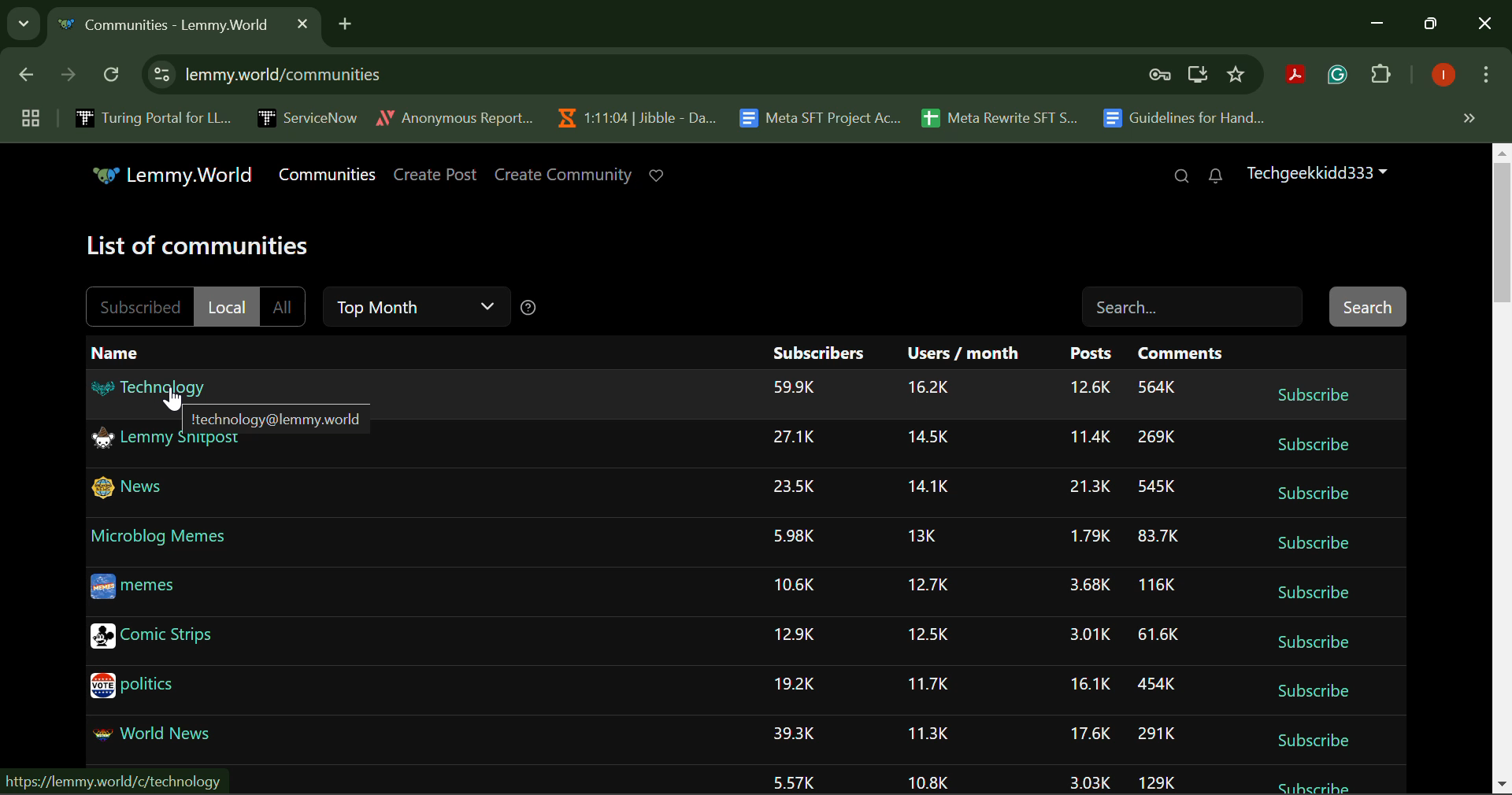 The height and width of the screenshot is (795, 1512). What do you see at coordinates (1162, 75) in the screenshot?
I see `Verify Security ` at bounding box center [1162, 75].